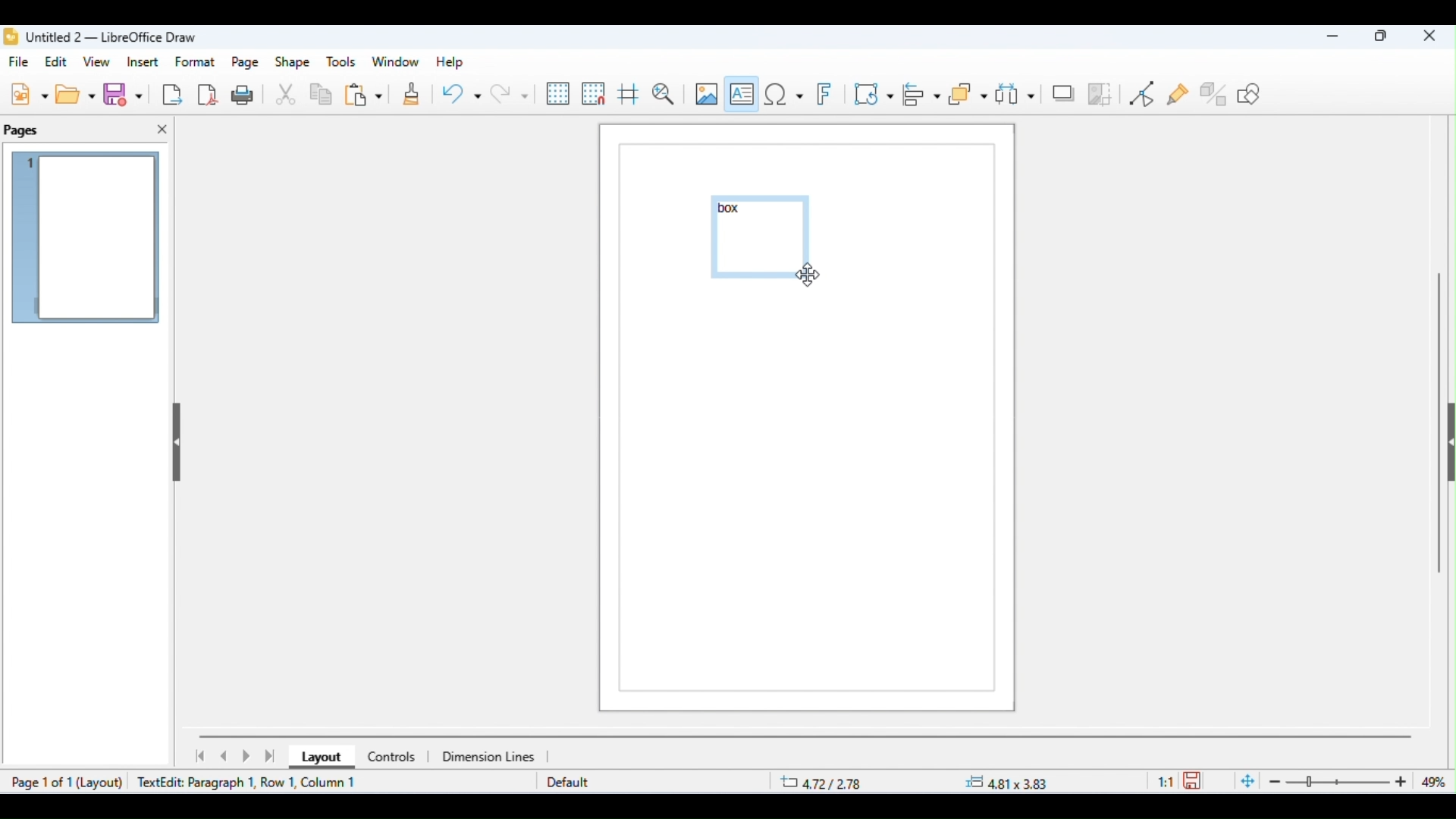 The image size is (1456, 819). What do you see at coordinates (664, 94) in the screenshot?
I see `zoom and pan` at bounding box center [664, 94].